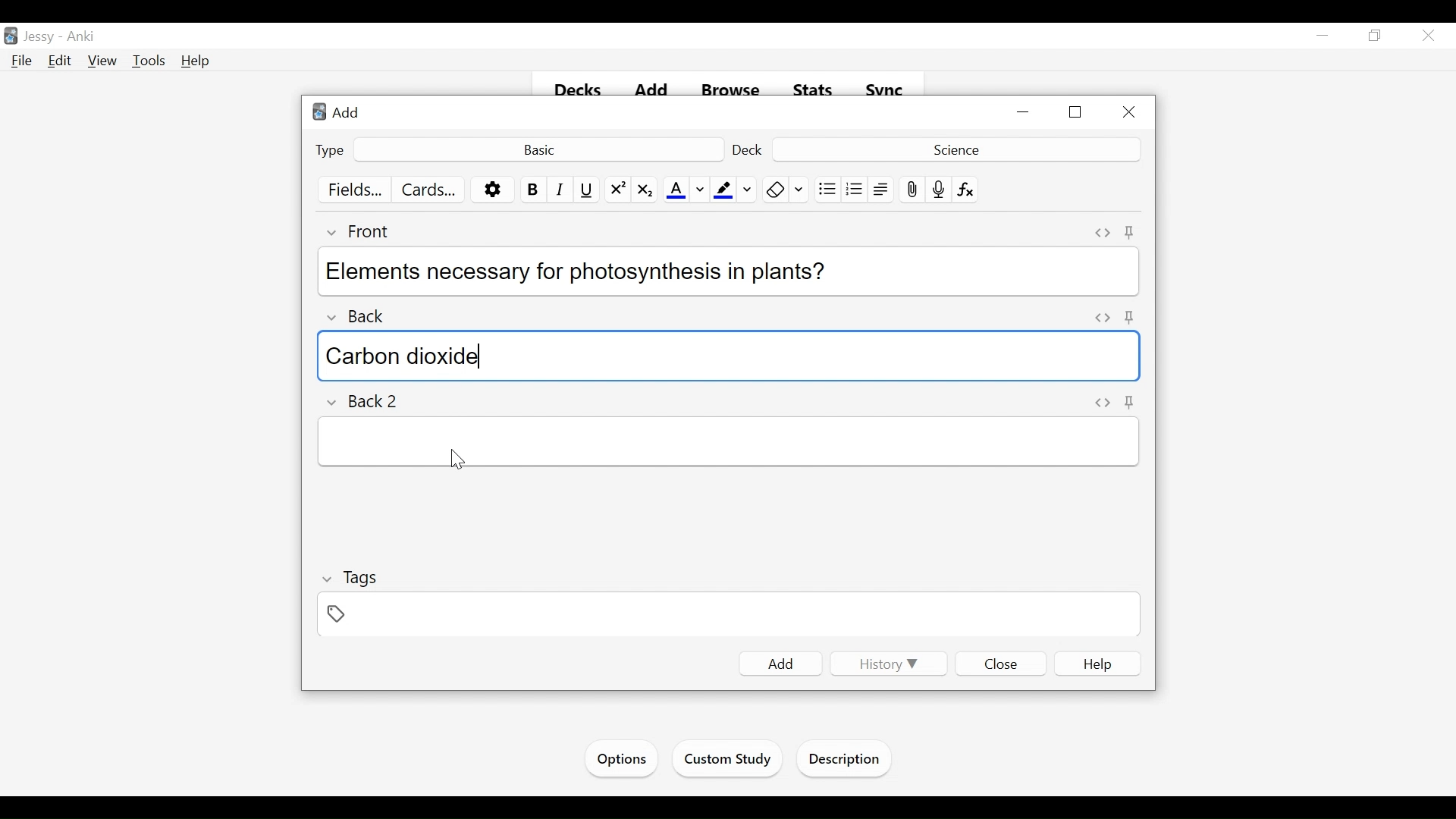 The height and width of the screenshot is (819, 1456). What do you see at coordinates (814, 90) in the screenshot?
I see `Stats` at bounding box center [814, 90].